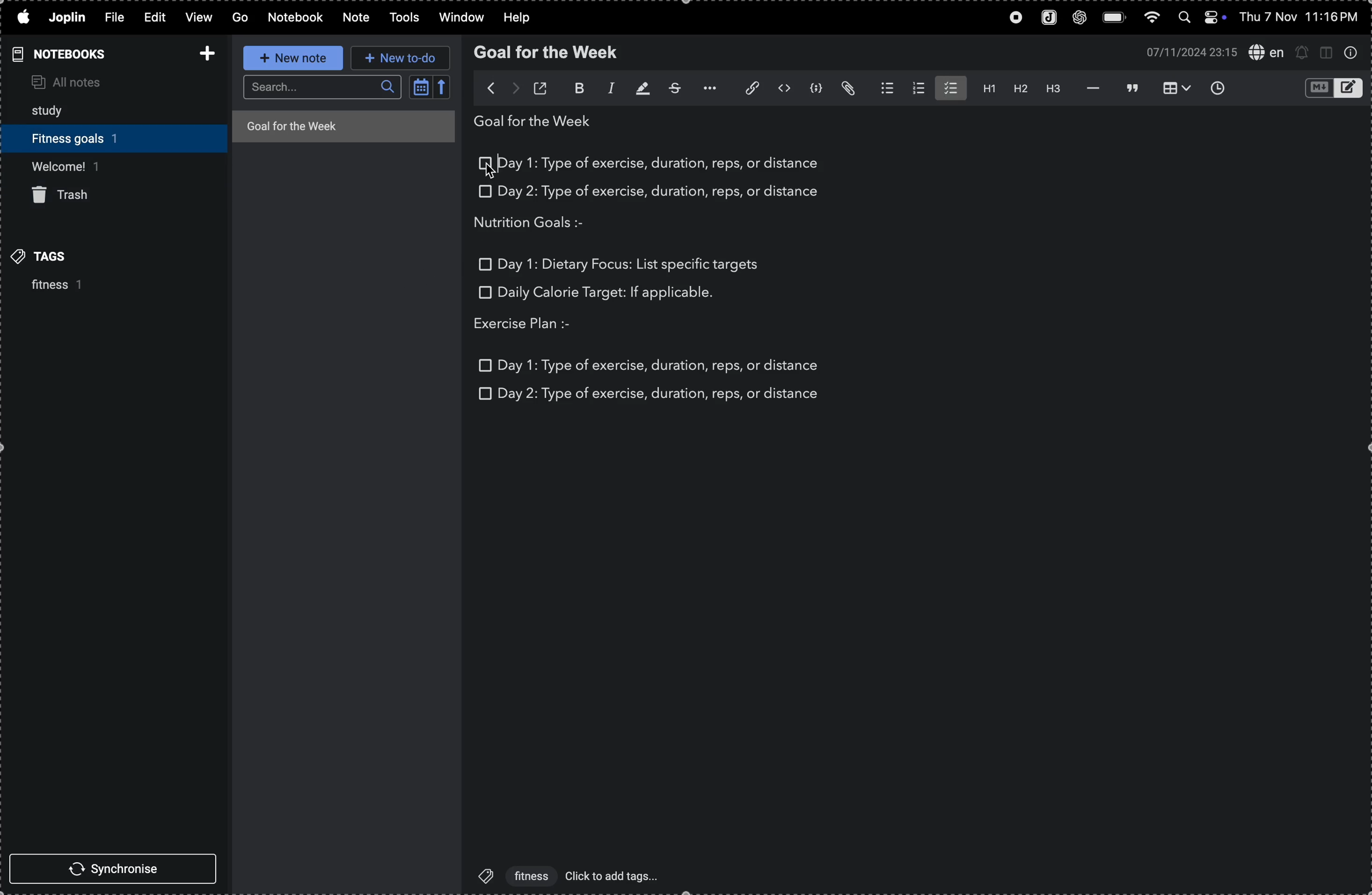 This screenshot has height=895, width=1372. Describe the element at coordinates (47, 287) in the screenshot. I see `fitness 1 ` at that location.